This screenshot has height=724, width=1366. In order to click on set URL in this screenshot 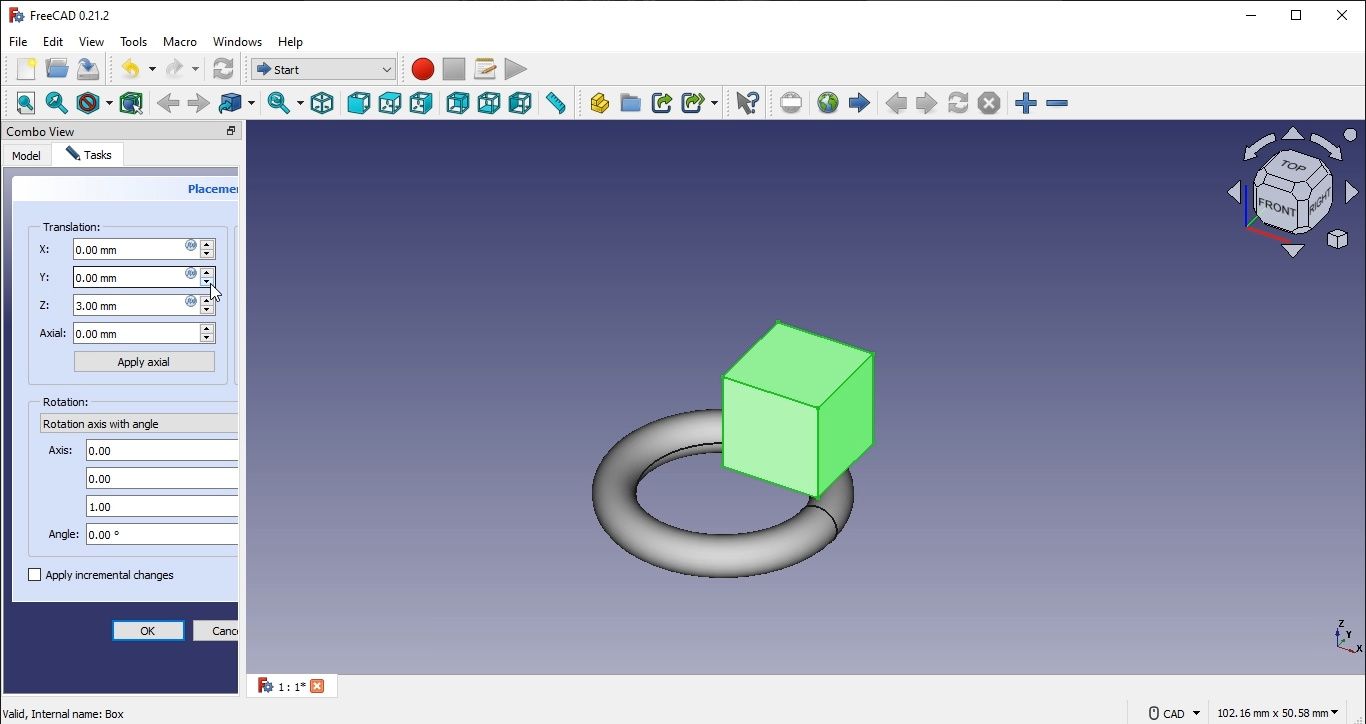, I will do `click(792, 102)`.